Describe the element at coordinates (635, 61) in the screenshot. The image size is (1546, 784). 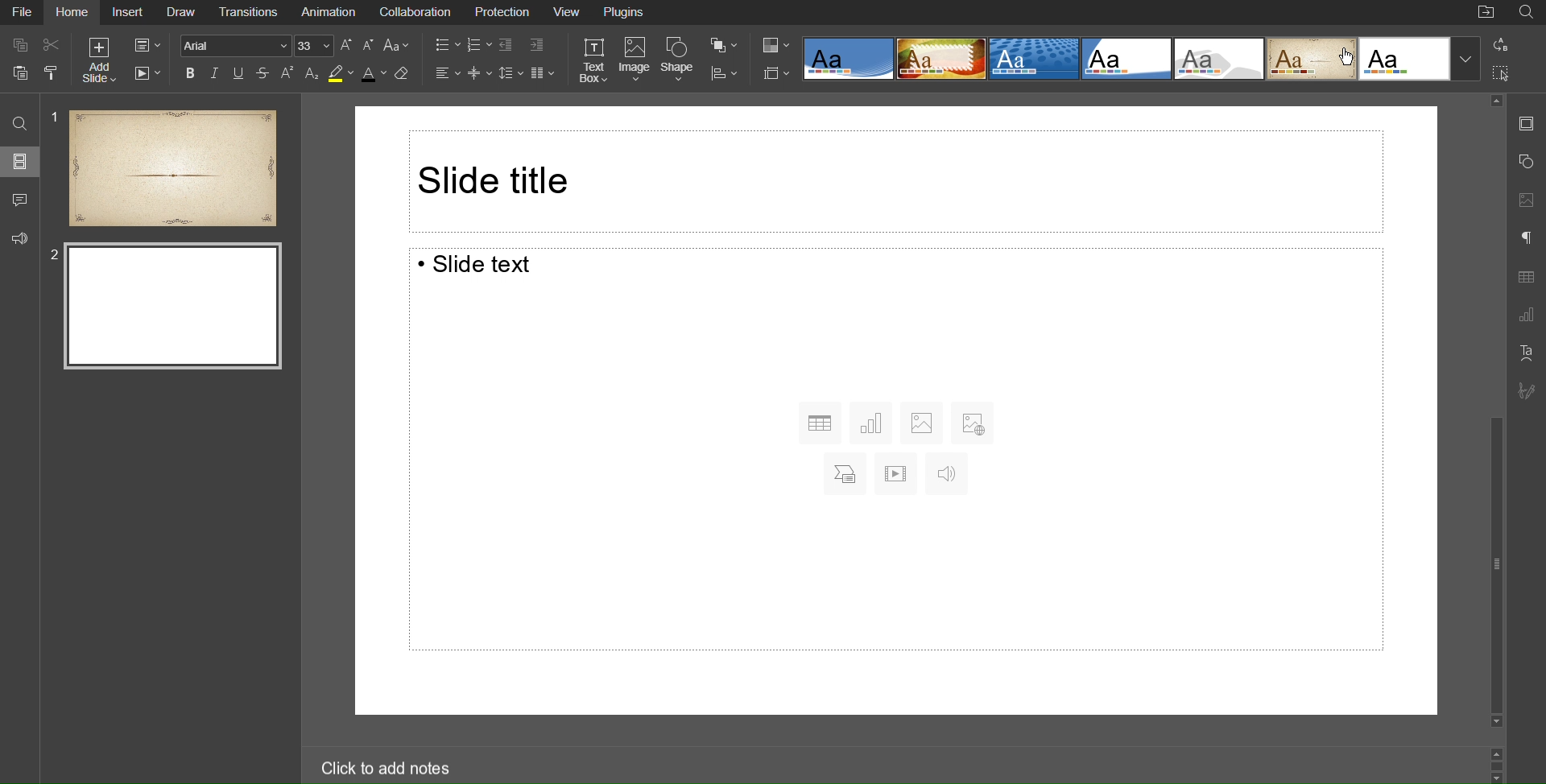
I see `Image` at that location.